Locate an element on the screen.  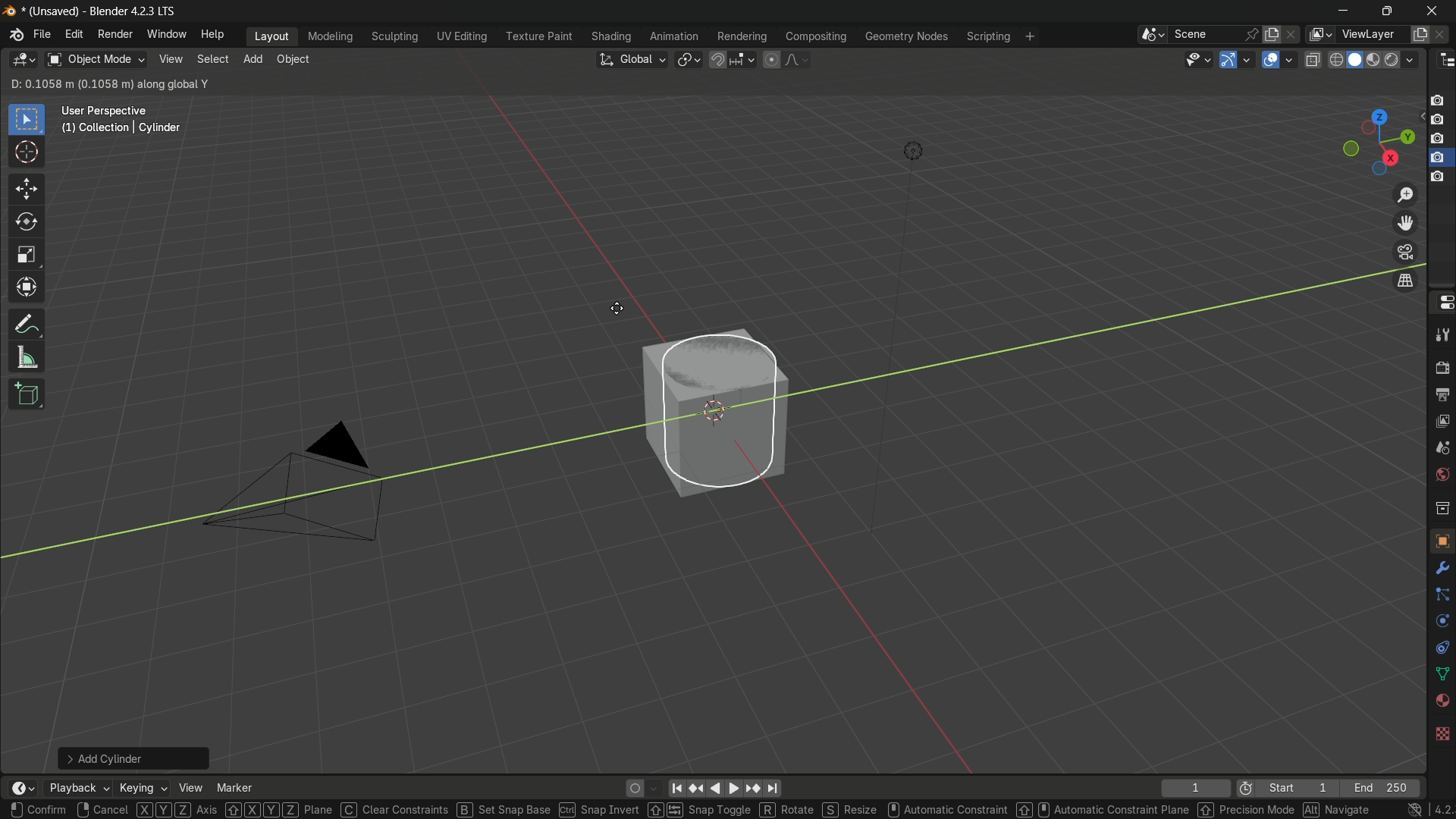
resize is located at coordinates (849, 808).